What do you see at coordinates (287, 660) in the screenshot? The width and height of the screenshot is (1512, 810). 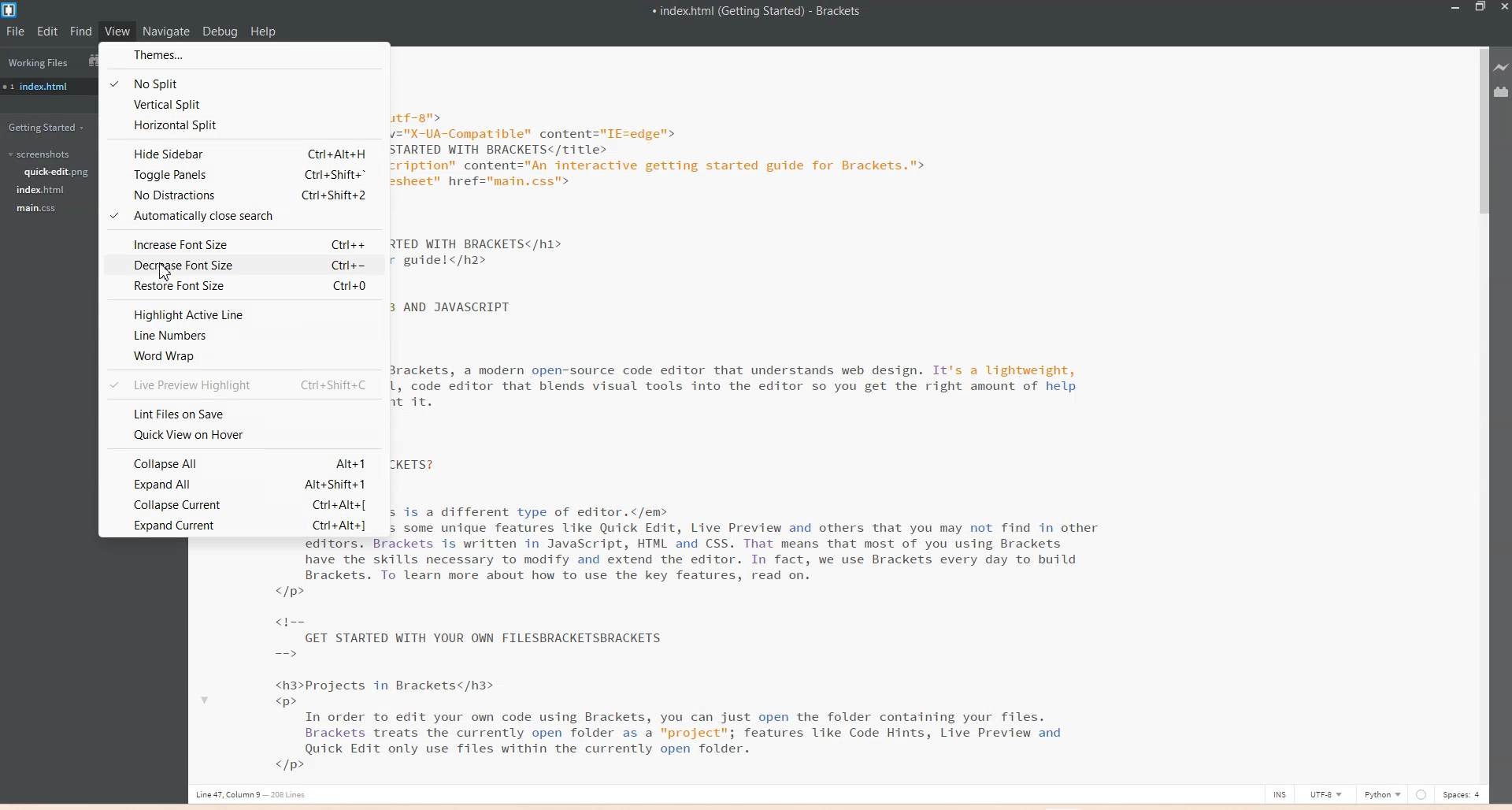 I see `text` at bounding box center [287, 660].